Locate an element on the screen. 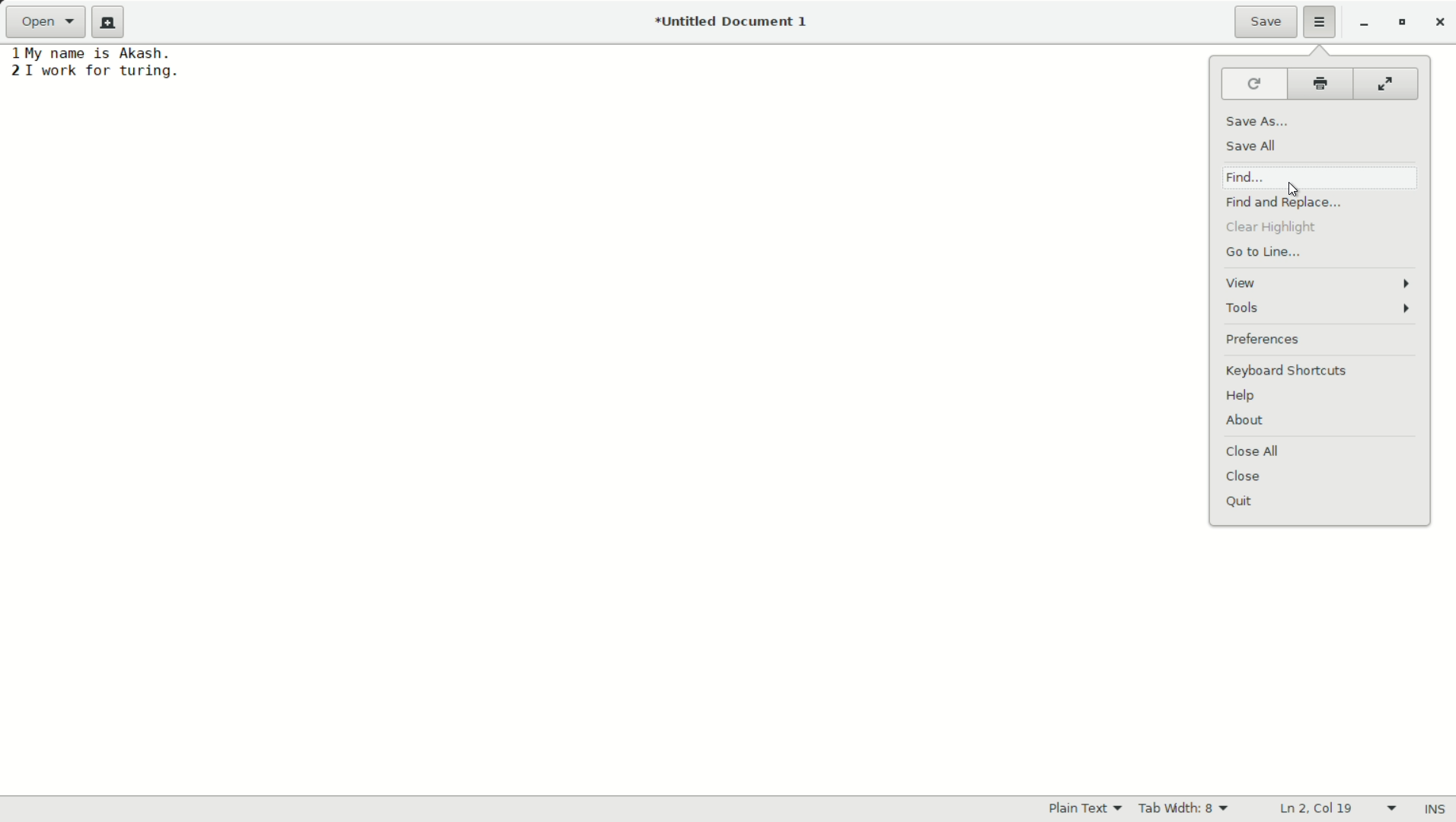  *Untitled Document 1 is located at coordinates (734, 23).